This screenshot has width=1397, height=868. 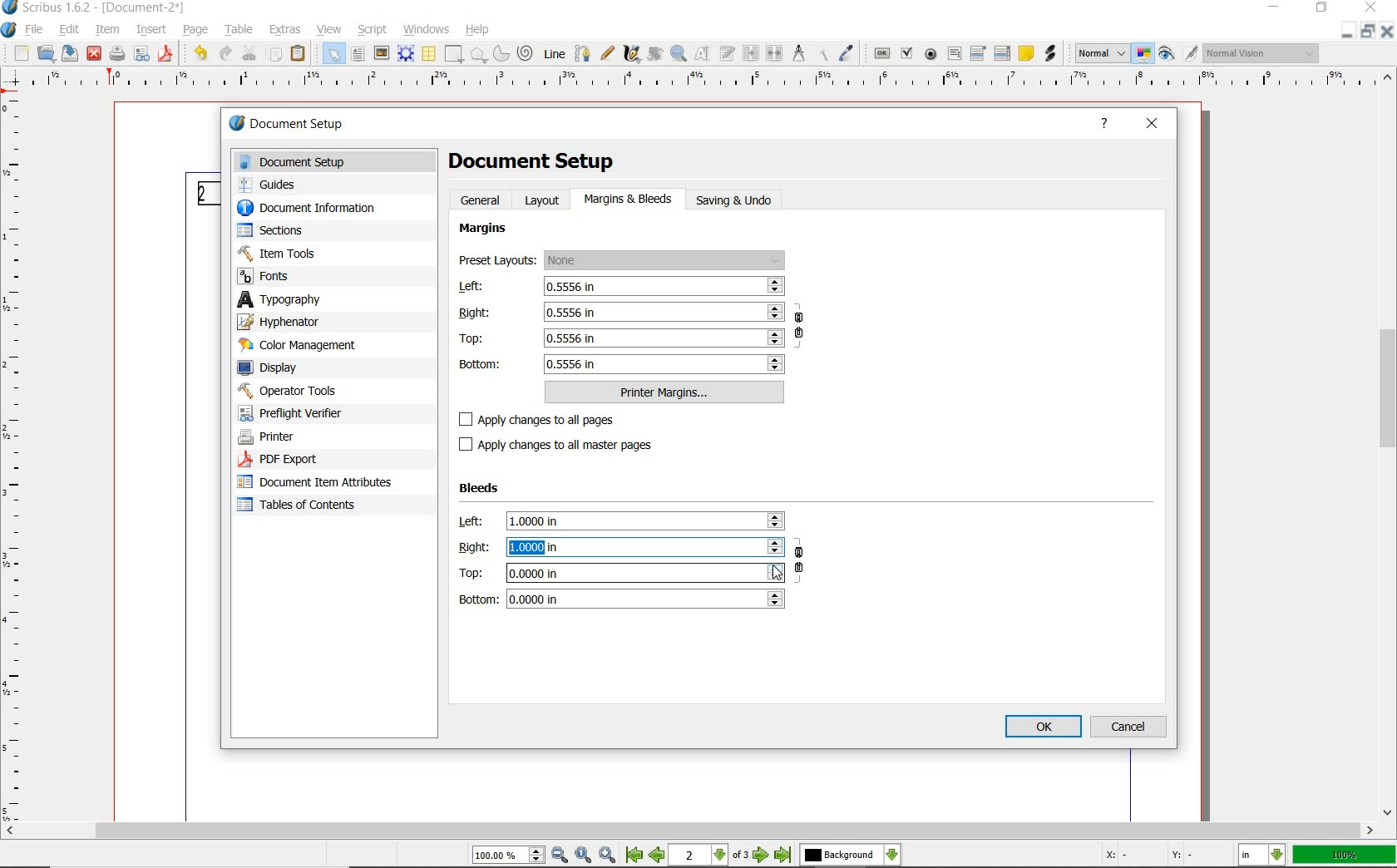 What do you see at coordinates (848, 52) in the screenshot?
I see `eye dropper` at bounding box center [848, 52].